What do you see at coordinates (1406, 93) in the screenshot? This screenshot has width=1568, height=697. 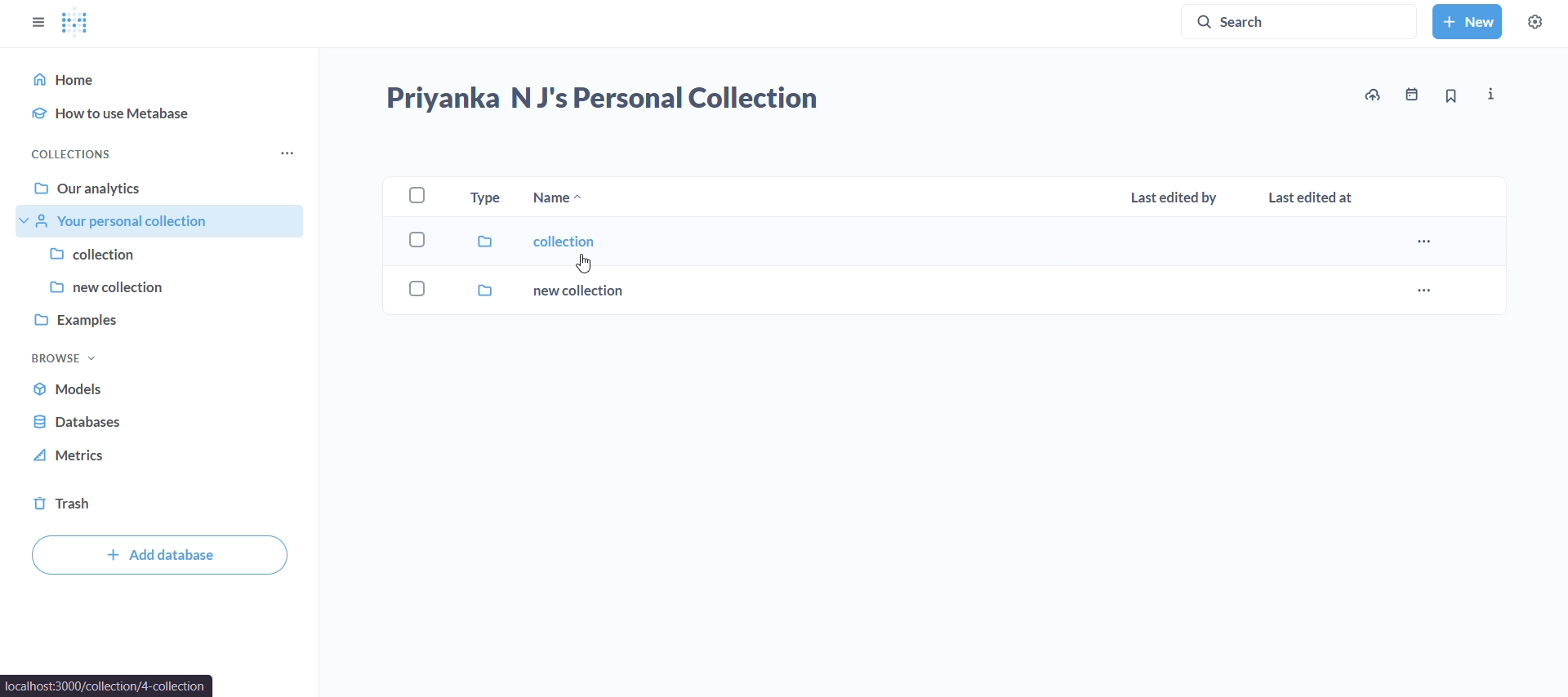 I see `events` at bounding box center [1406, 93].